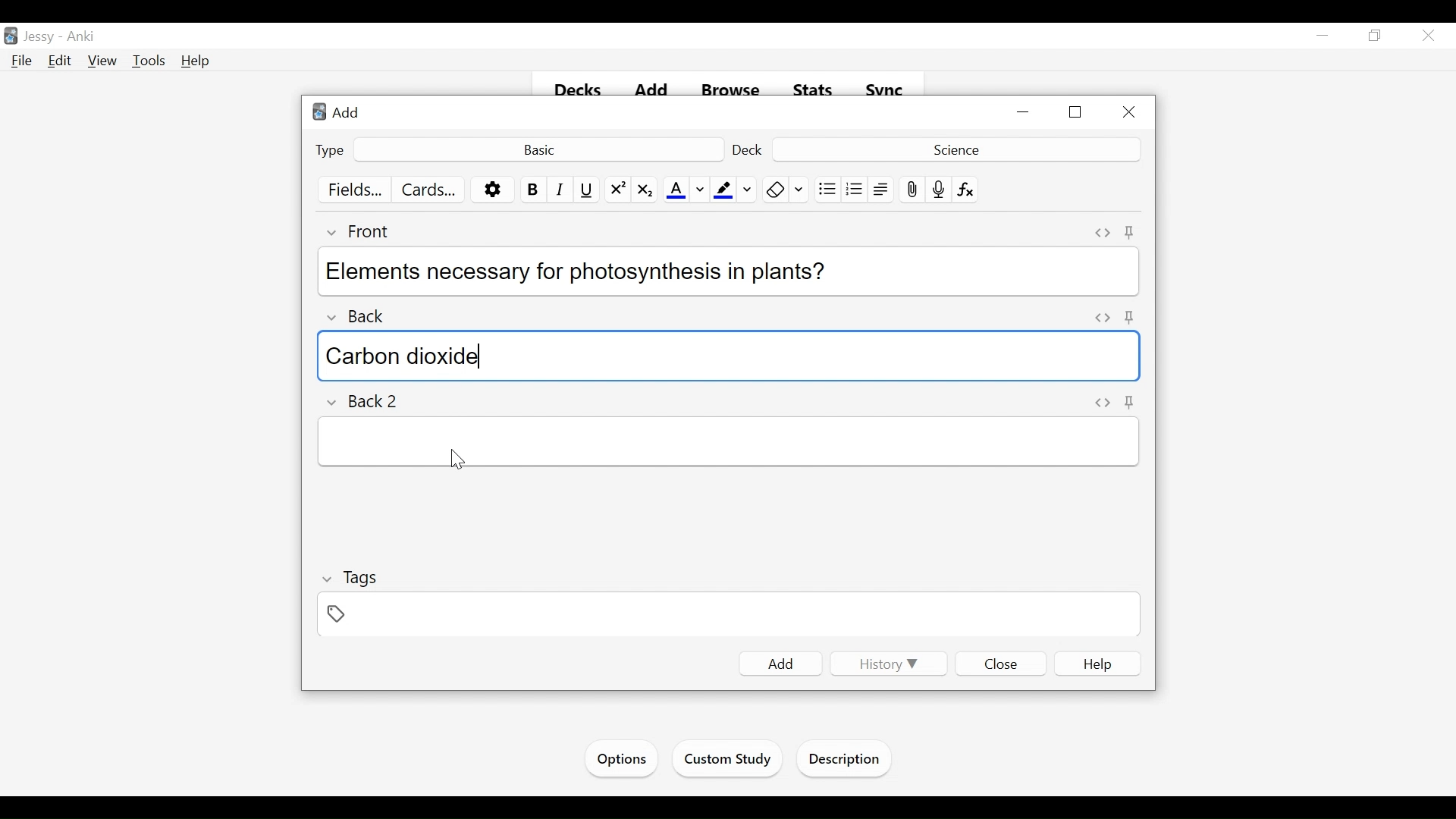  I want to click on Toggle HTML editor, so click(1100, 318).